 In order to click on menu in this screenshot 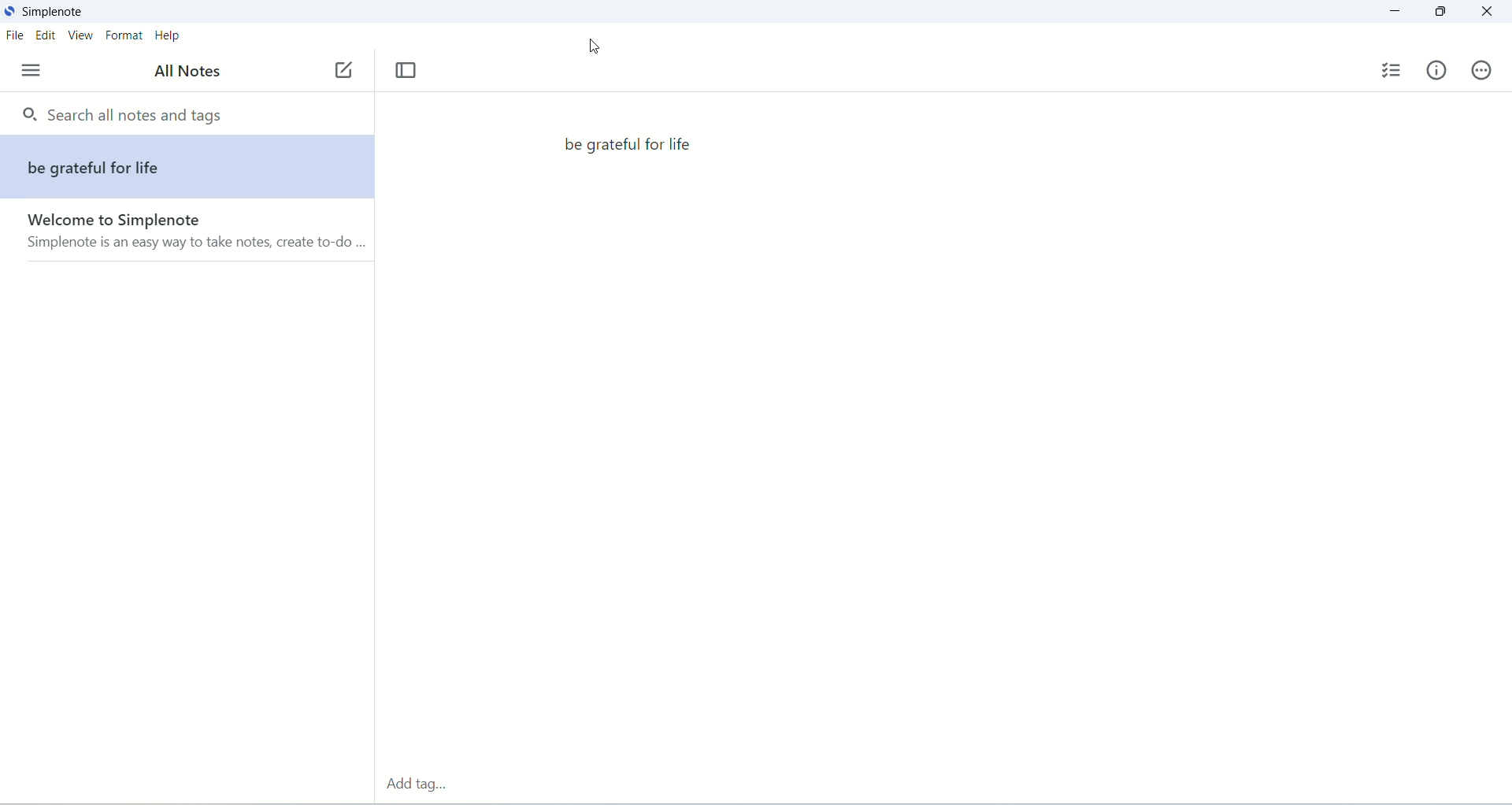, I will do `click(31, 72)`.